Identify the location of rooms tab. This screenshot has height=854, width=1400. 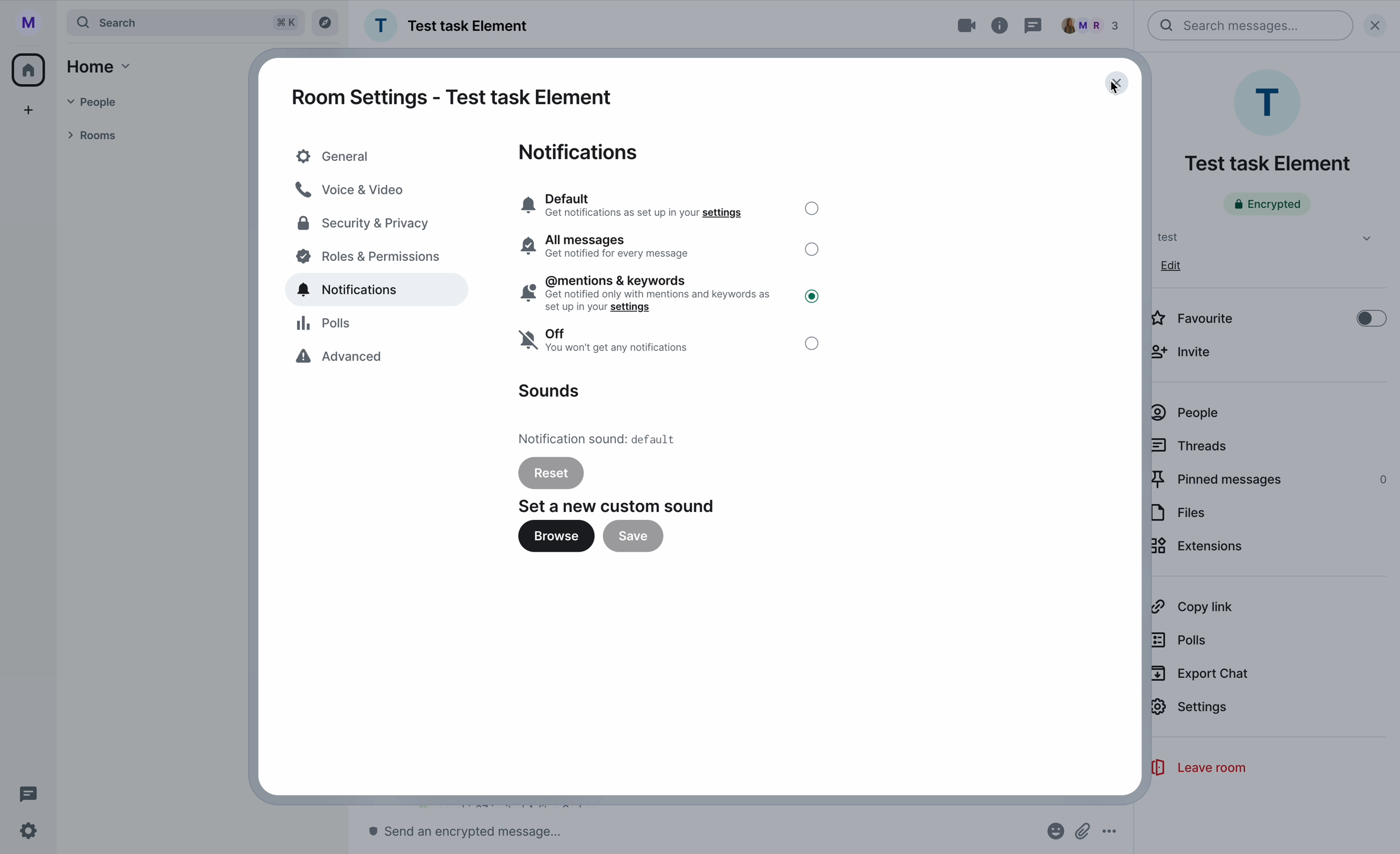
(97, 134).